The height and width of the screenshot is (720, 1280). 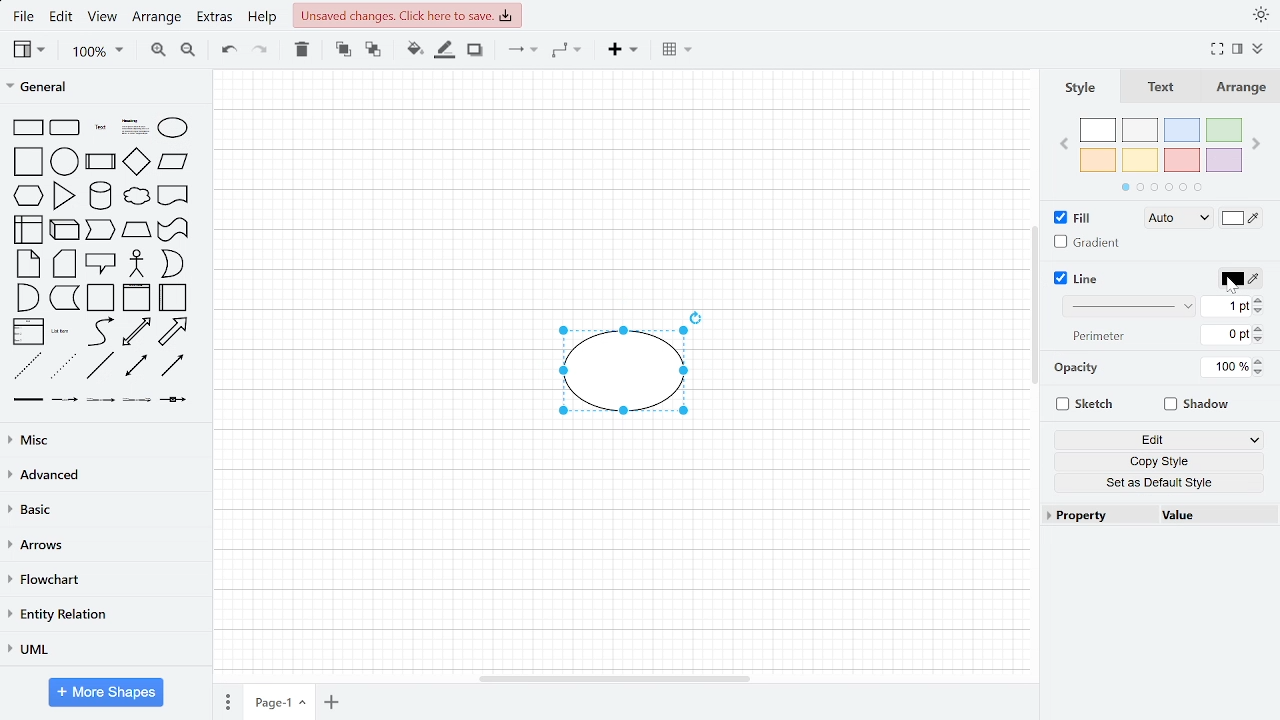 What do you see at coordinates (64, 264) in the screenshot?
I see `card` at bounding box center [64, 264].